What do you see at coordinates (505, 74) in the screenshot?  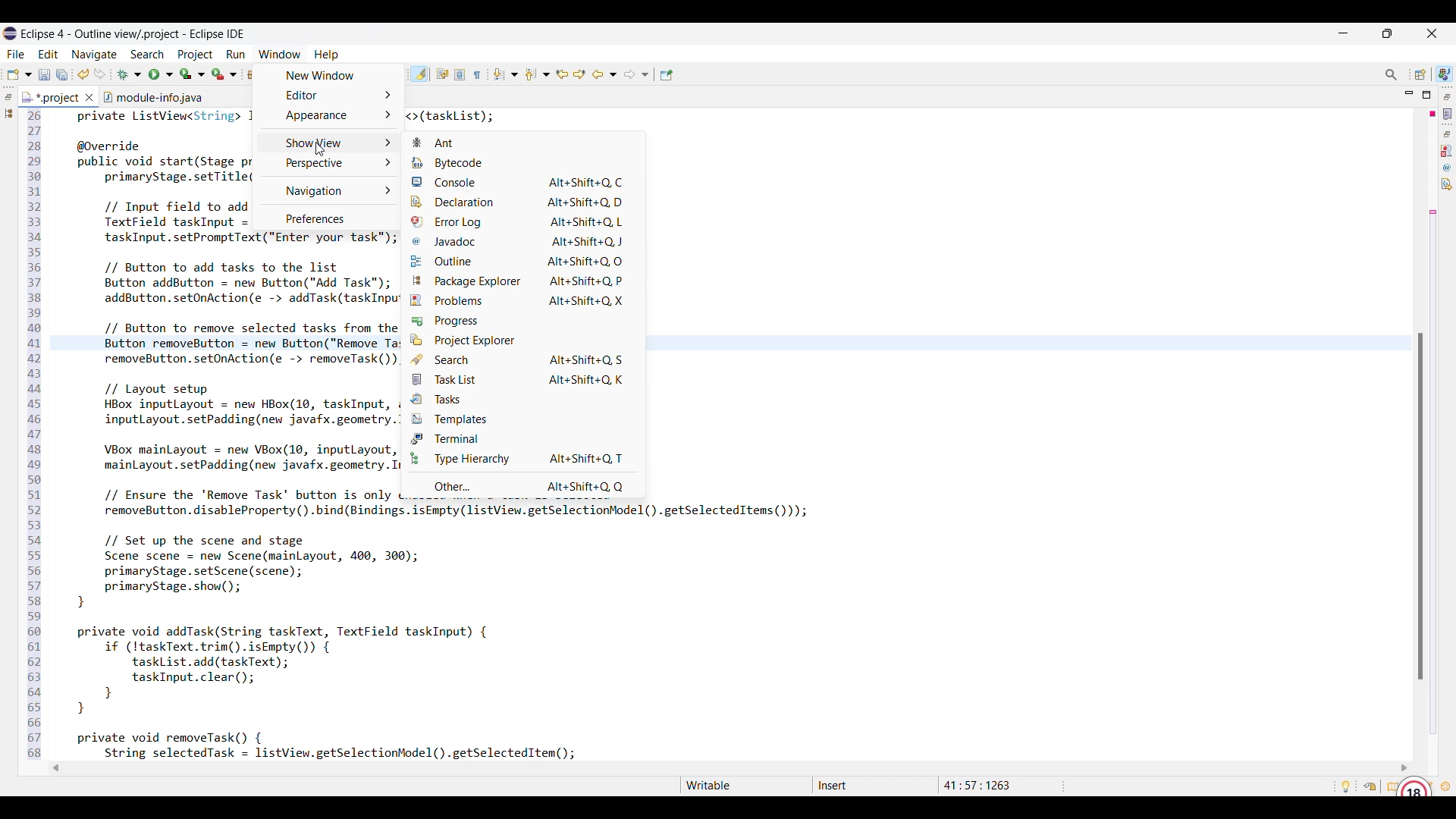 I see `Next annotation` at bounding box center [505, 74].